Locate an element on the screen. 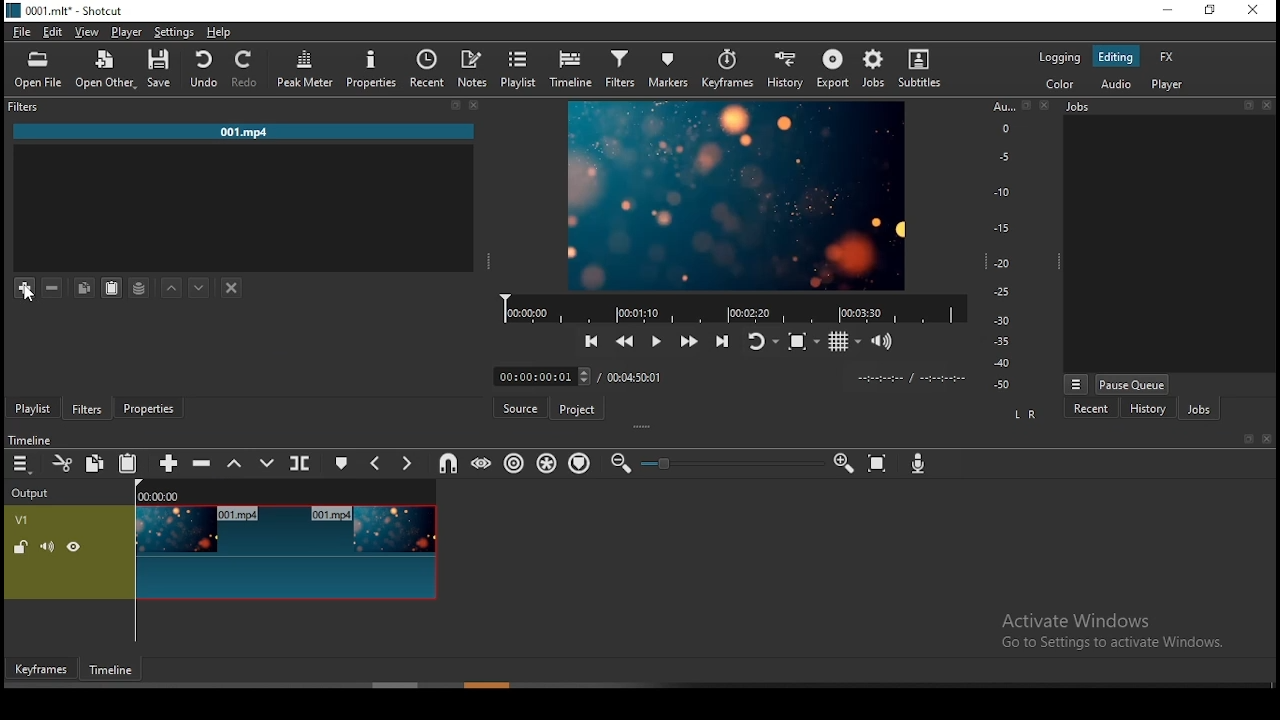 This screenshot has width=1280, height=720. play is located at coordinates (660, 340).